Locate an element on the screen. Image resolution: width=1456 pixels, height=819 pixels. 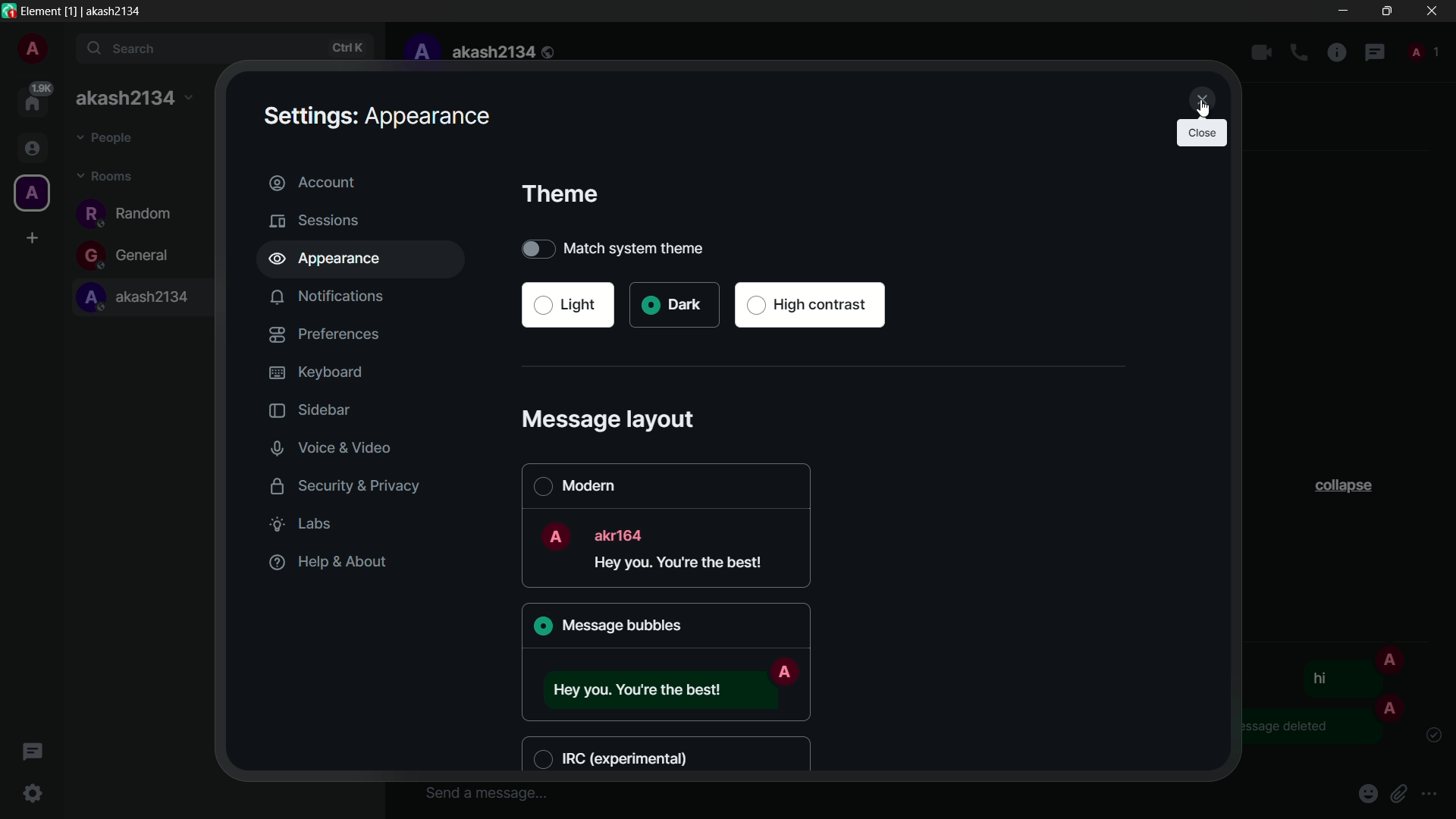
high contrast is located at coordinates (811, 306).